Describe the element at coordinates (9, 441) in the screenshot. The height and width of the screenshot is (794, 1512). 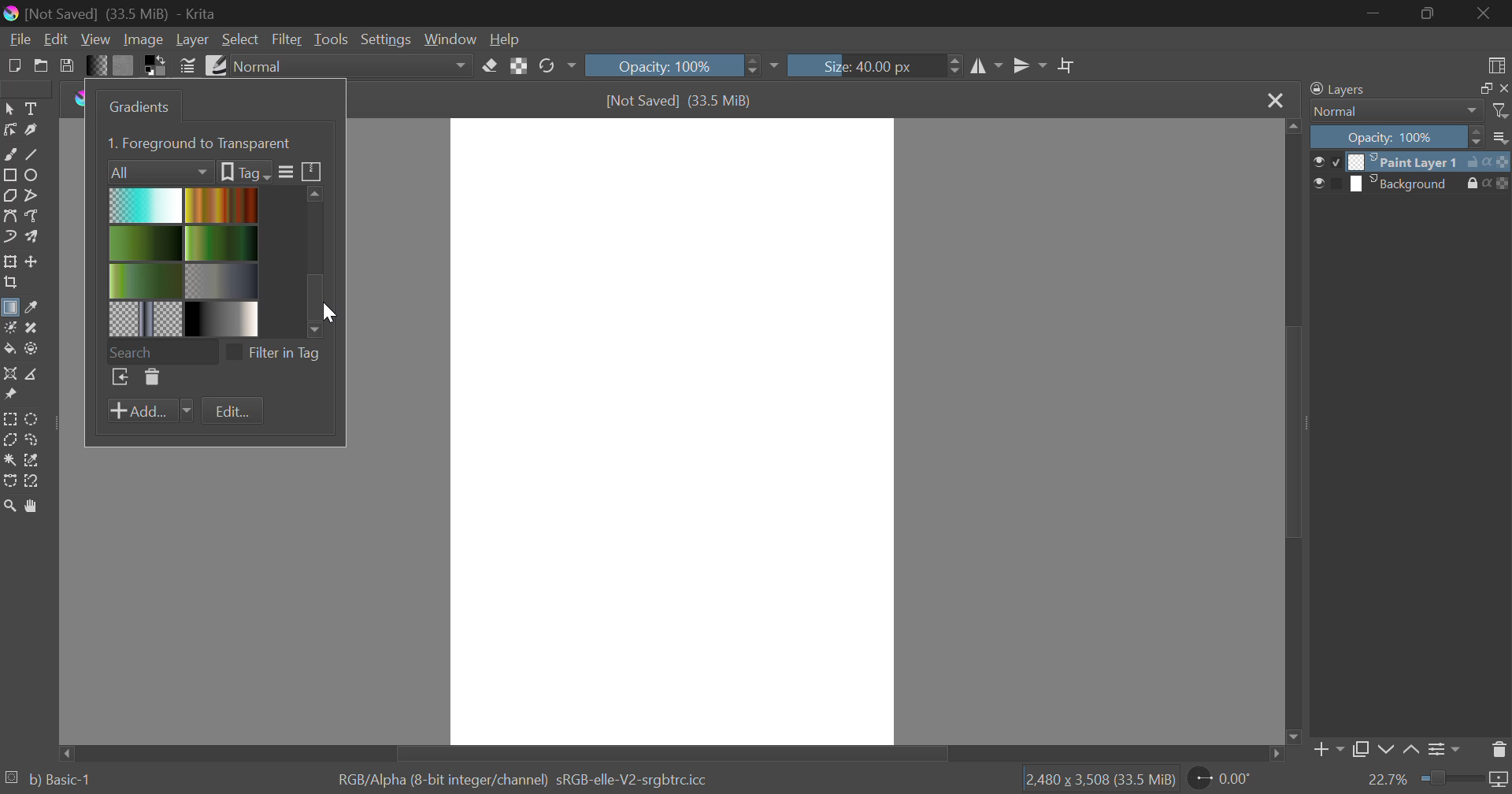
I see `Polygon Selection` at that location.